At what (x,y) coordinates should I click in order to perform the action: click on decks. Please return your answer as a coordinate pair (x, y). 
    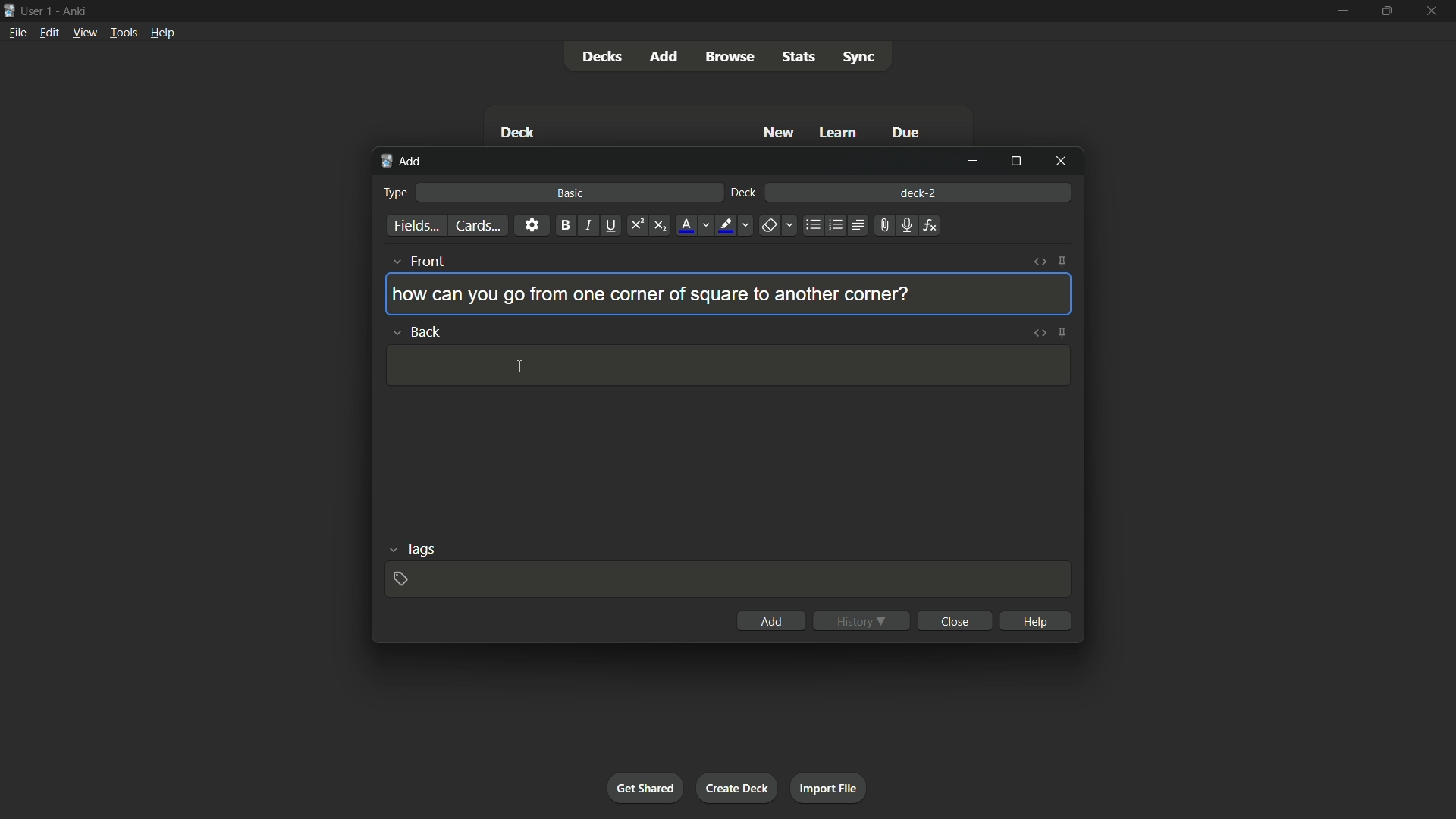
    Looking at the image, I should click on (600, 56).